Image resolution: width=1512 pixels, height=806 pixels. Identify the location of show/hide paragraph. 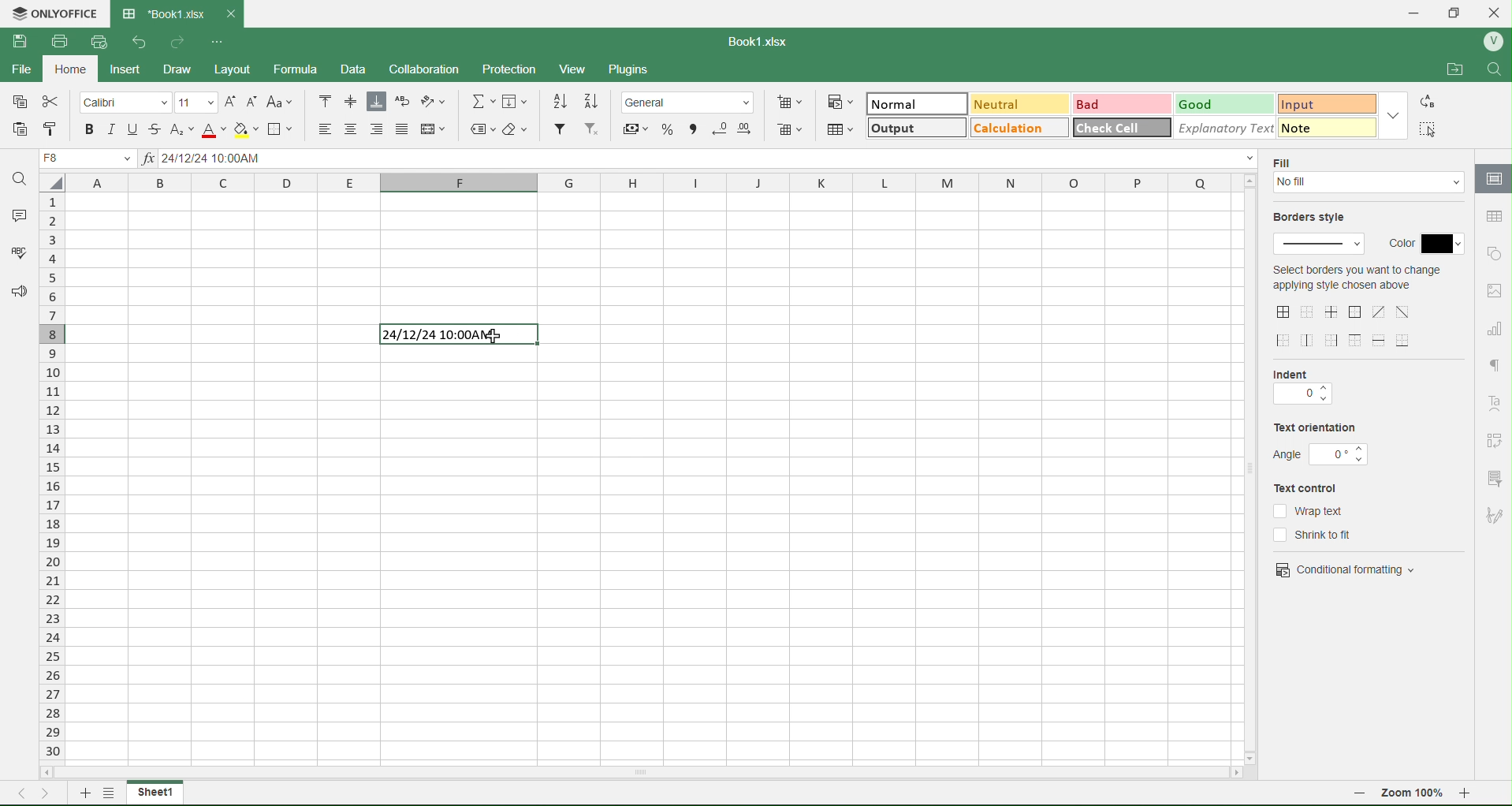
(1494, 364).